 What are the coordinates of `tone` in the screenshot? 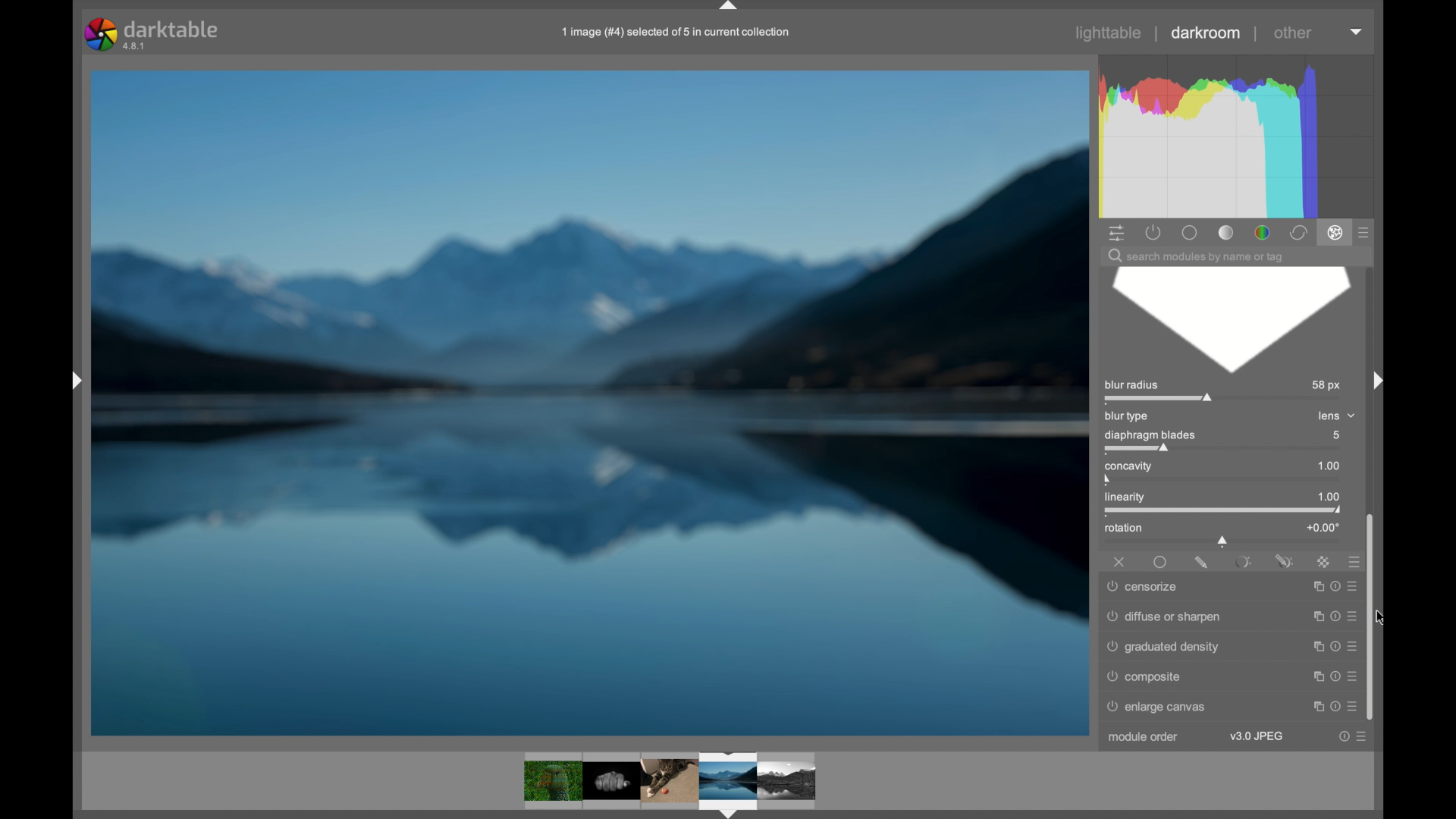 It's located at (1225, 232).